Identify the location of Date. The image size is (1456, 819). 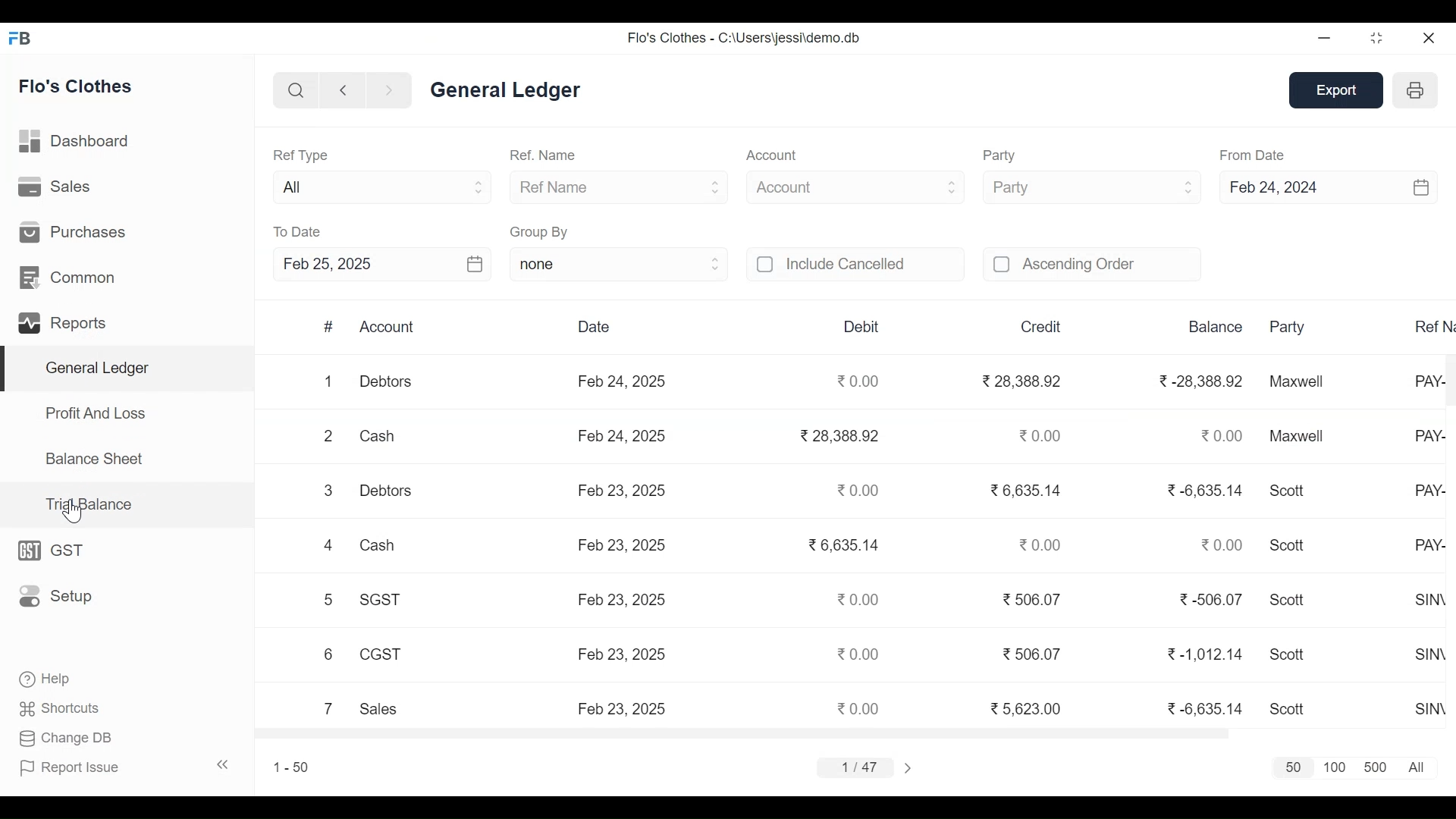
(601, 328).